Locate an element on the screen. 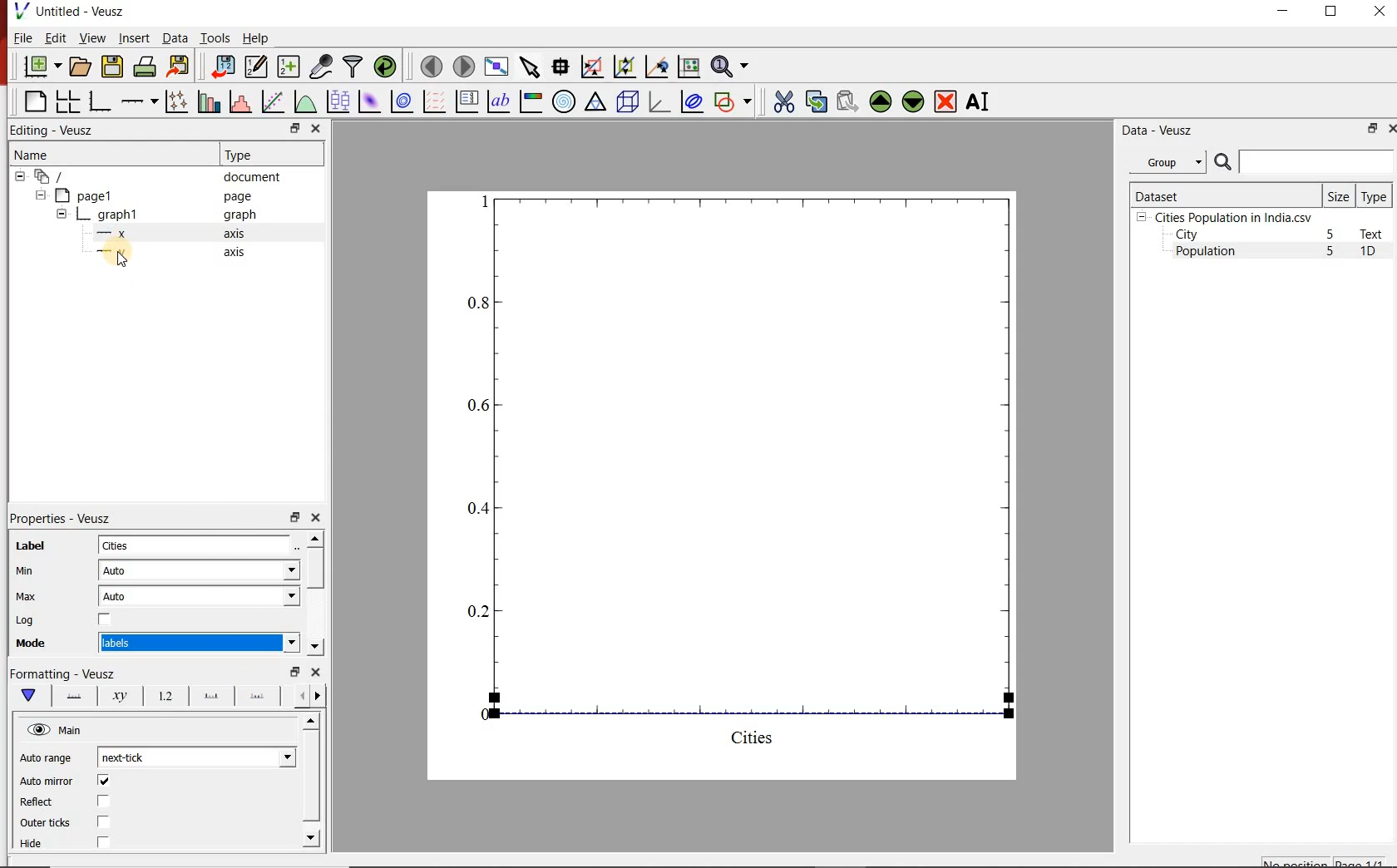 Image resolution: width=1397 pixels, height=868 pixels. Untitled-Veusz is located at coordinates (71, 12).